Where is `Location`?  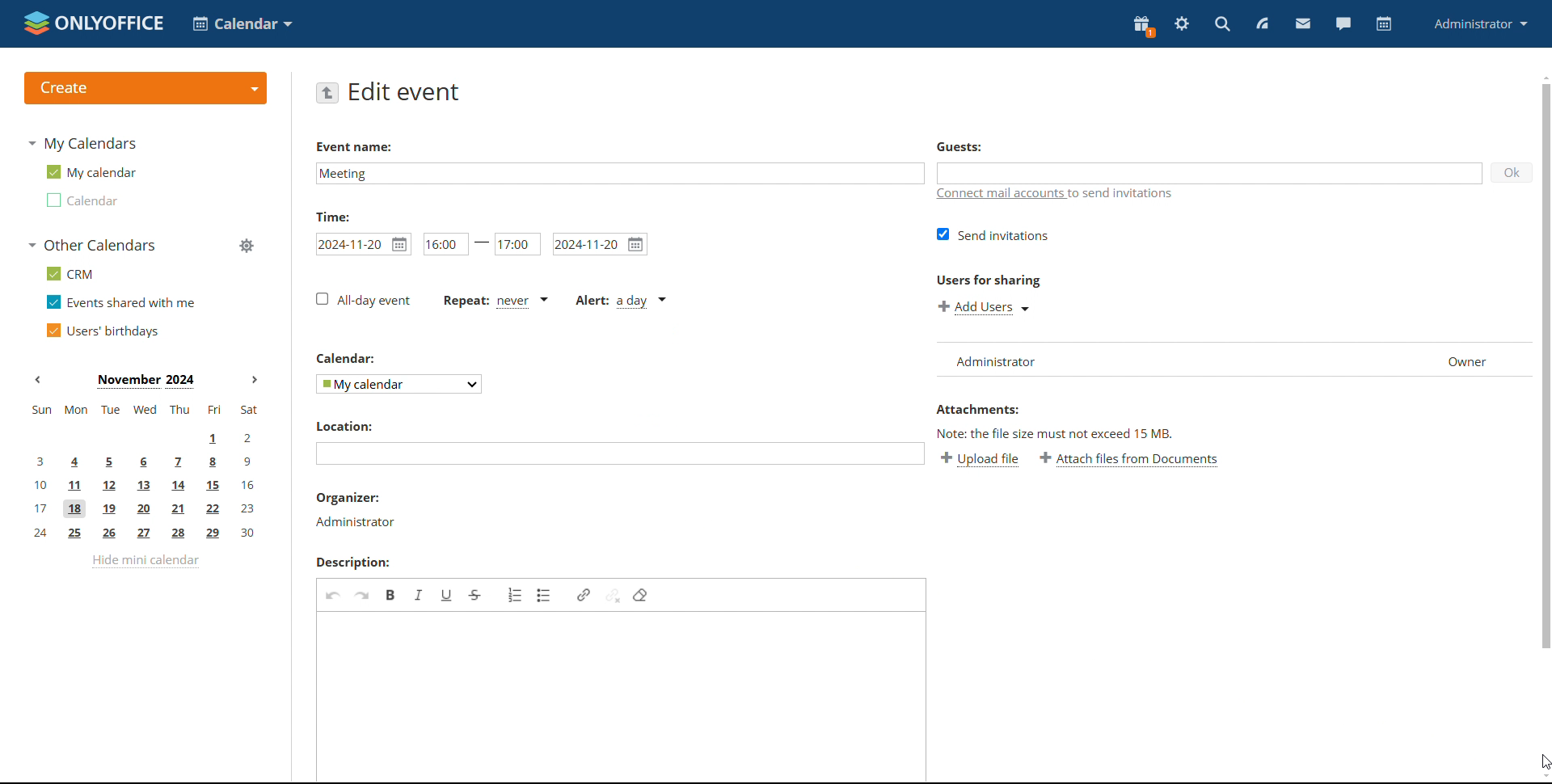
Location is located at coordinates (344, 426).